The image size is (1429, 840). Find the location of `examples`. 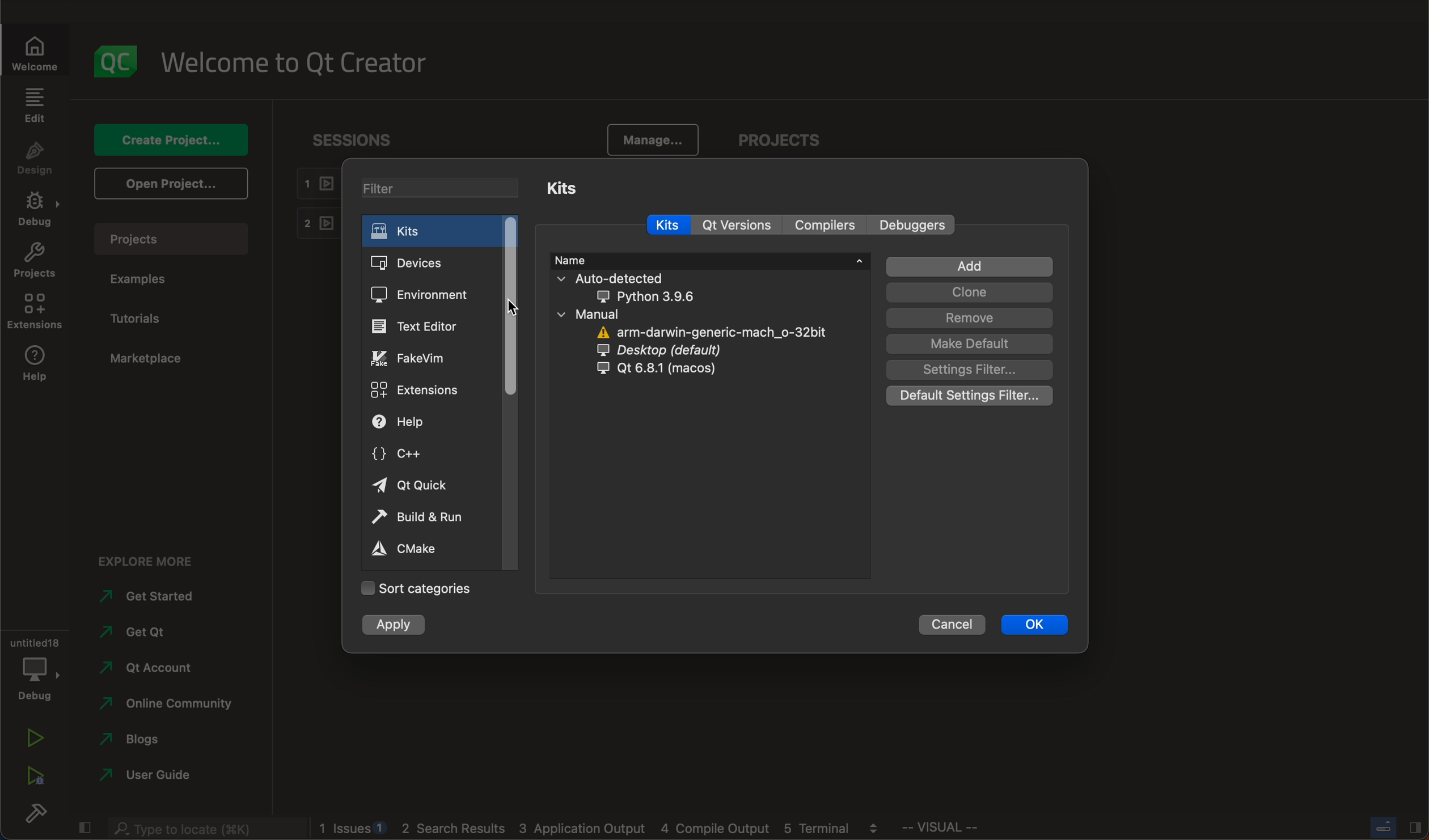

examples is located at coordinates (150, 279).